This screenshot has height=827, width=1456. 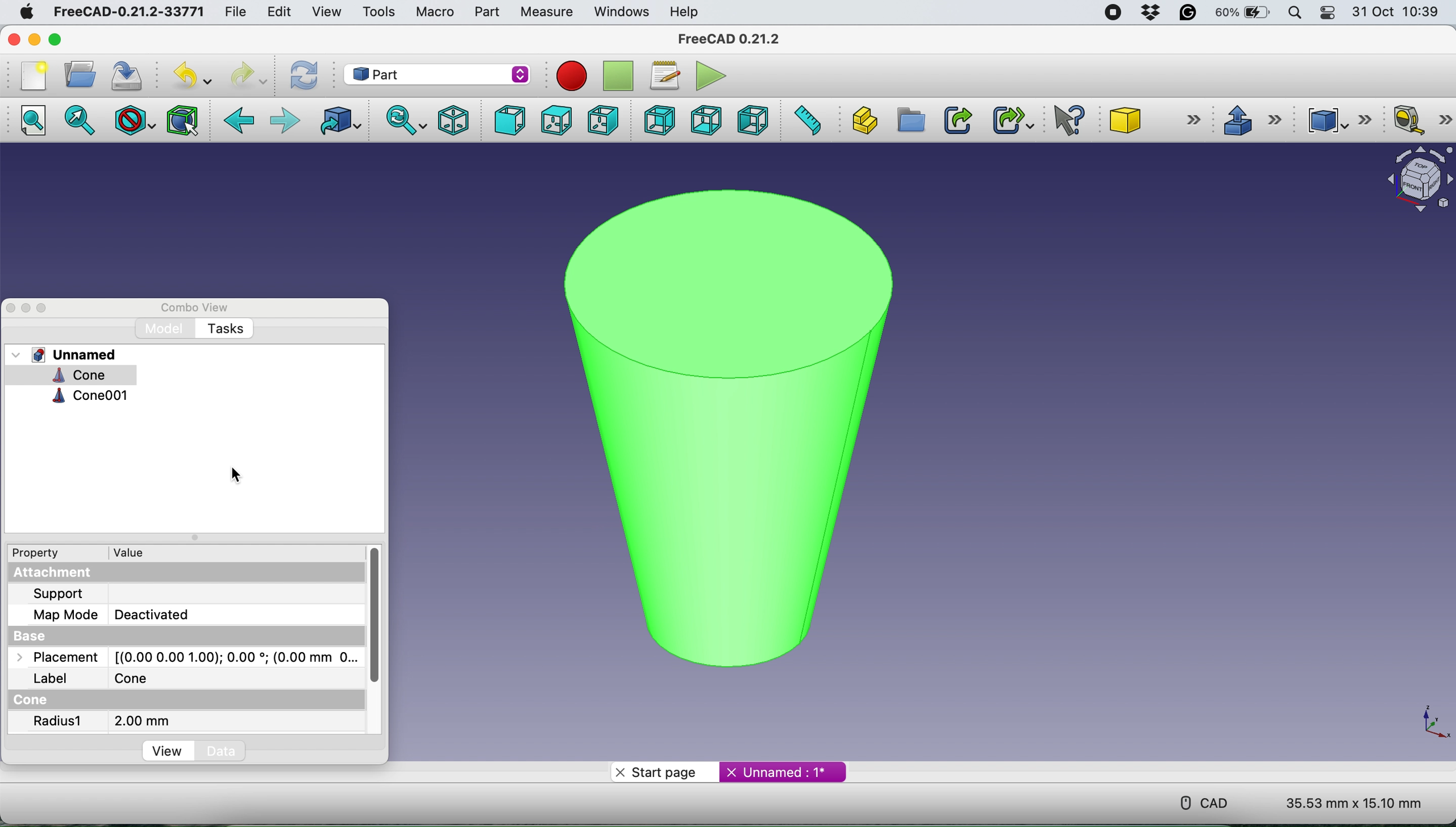 I want to click on top, so click(x=555, y=120).